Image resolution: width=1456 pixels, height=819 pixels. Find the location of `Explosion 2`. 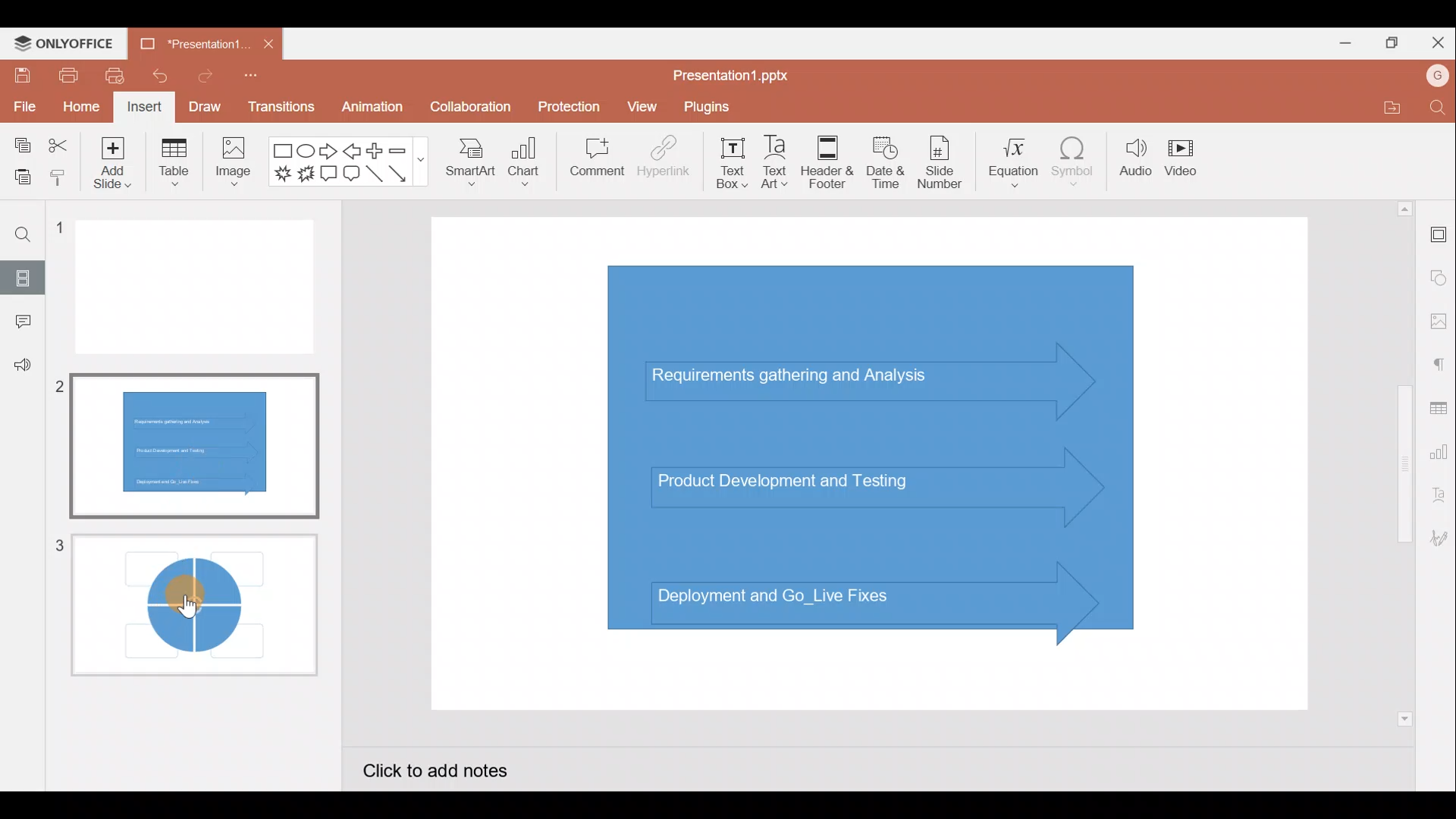

Explosion 2 is located at coordinates (305, 175).